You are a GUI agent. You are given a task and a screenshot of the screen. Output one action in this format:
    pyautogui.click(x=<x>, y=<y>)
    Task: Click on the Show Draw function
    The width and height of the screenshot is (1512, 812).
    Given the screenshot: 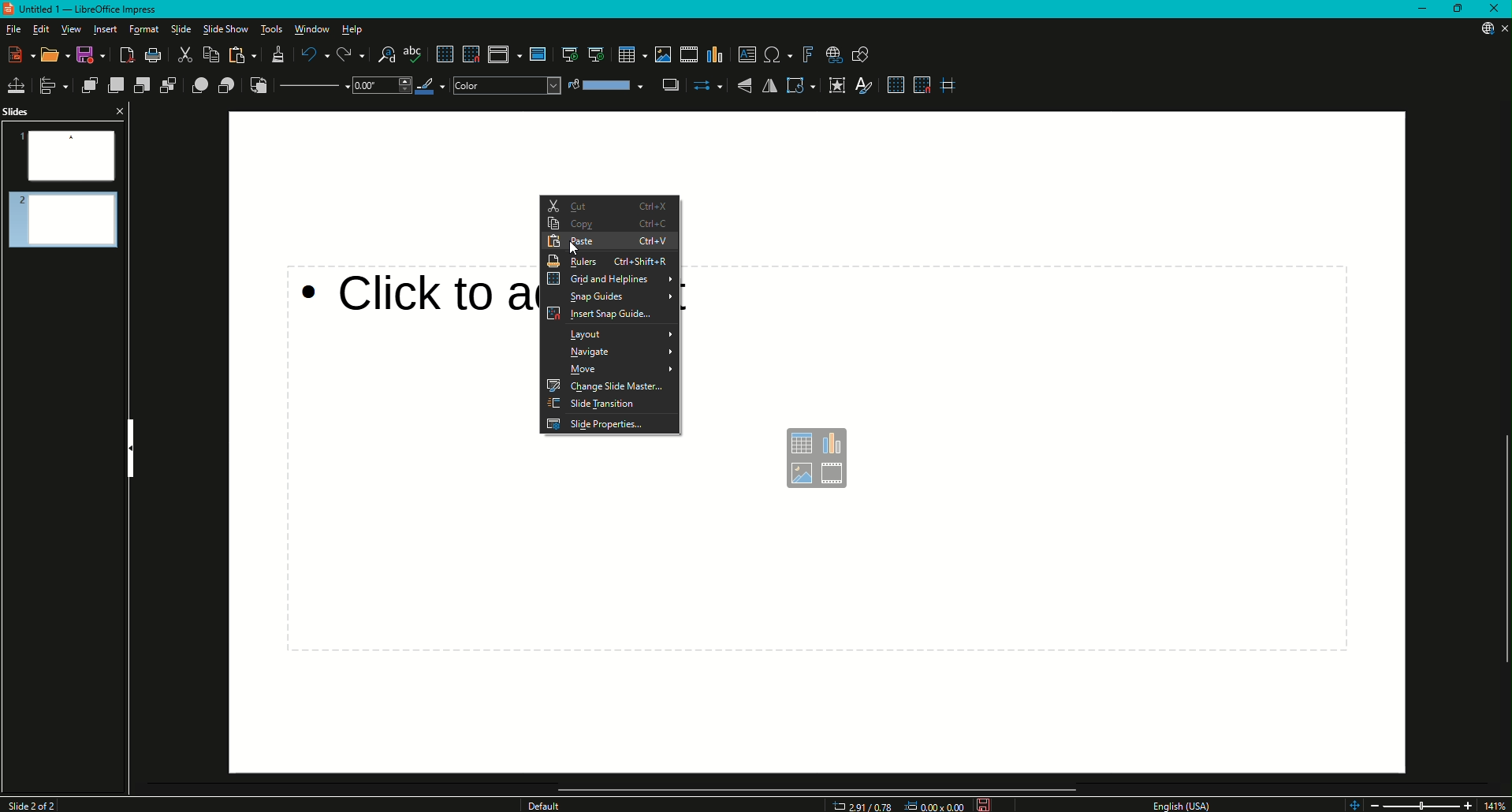 What is the action you would take?
    pyautogui.click(x=865, y=54)
    